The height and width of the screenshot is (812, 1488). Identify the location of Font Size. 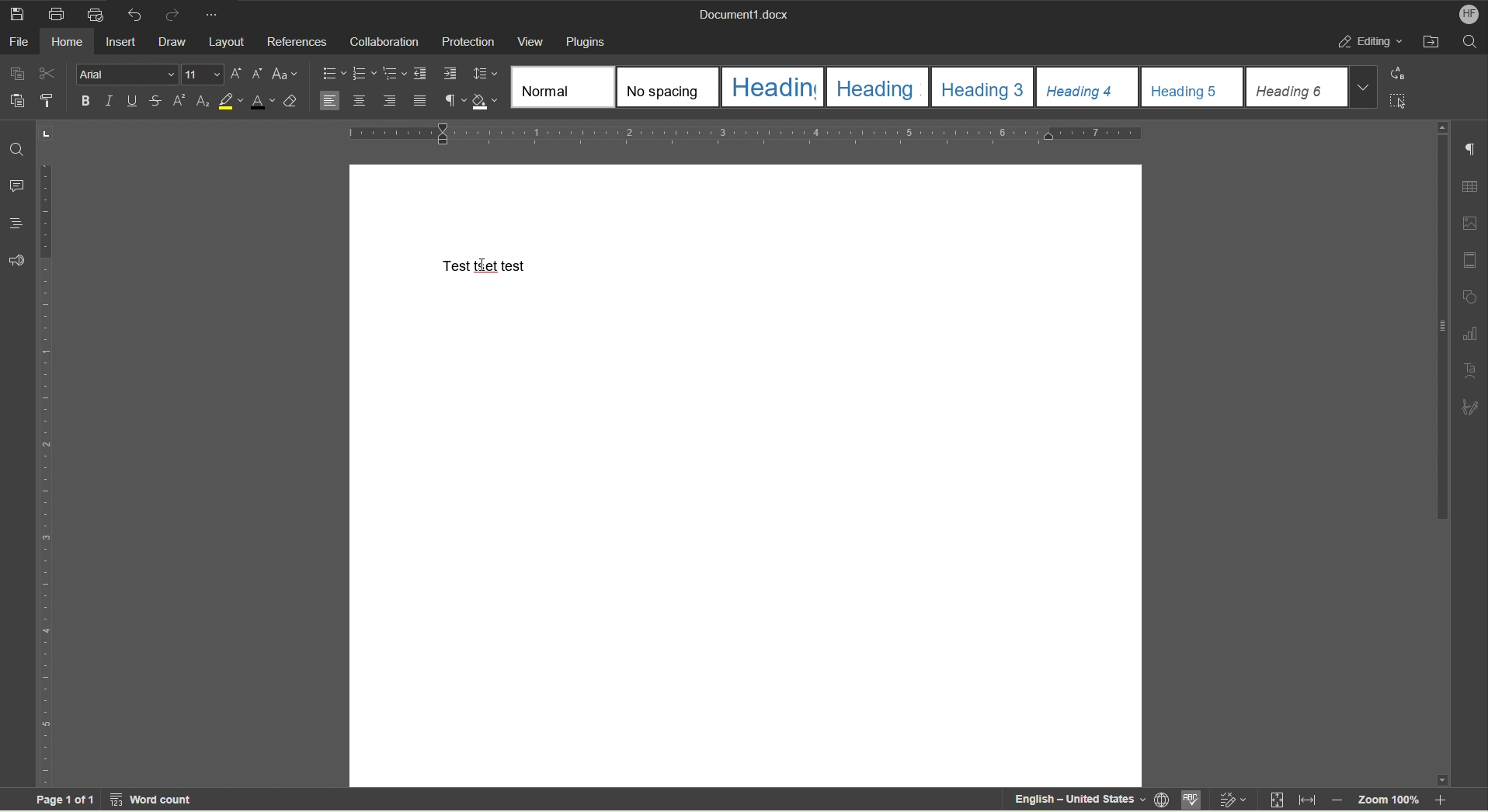
(203, 75).